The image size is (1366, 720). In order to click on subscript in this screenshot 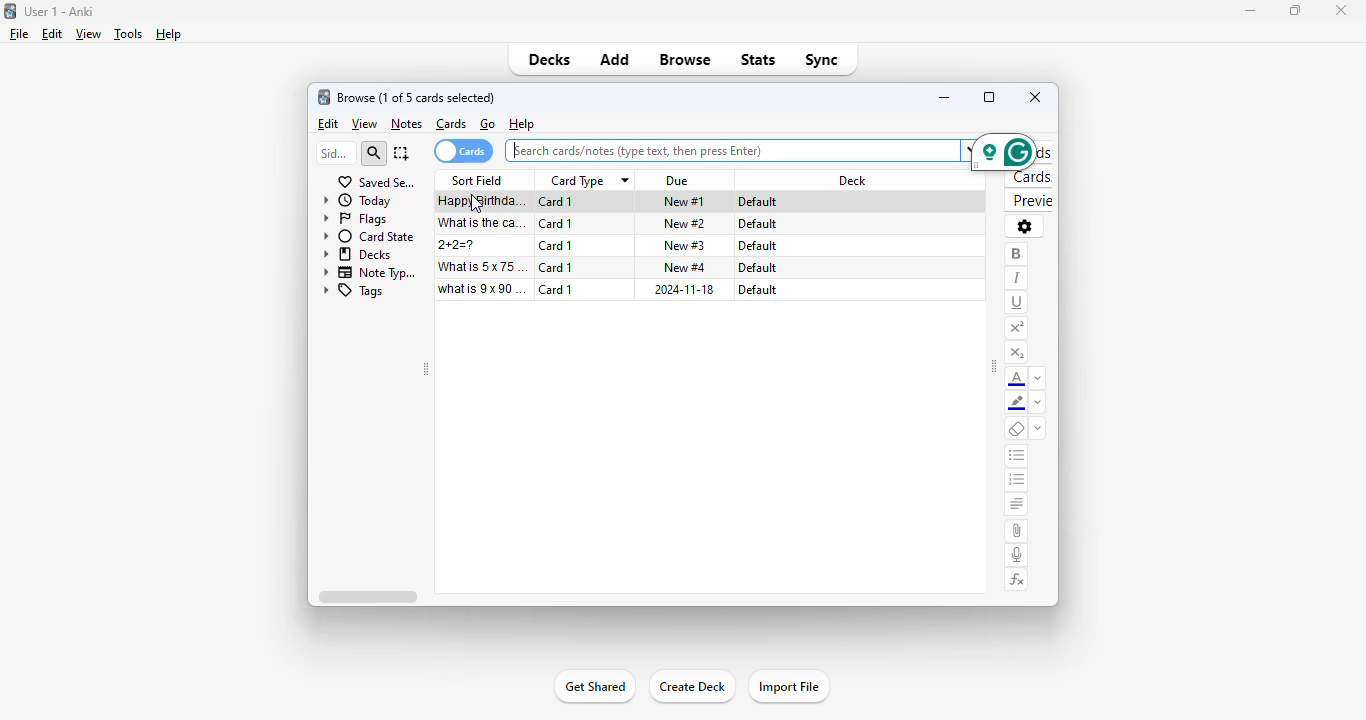, I will do `click(1016, 353)`.